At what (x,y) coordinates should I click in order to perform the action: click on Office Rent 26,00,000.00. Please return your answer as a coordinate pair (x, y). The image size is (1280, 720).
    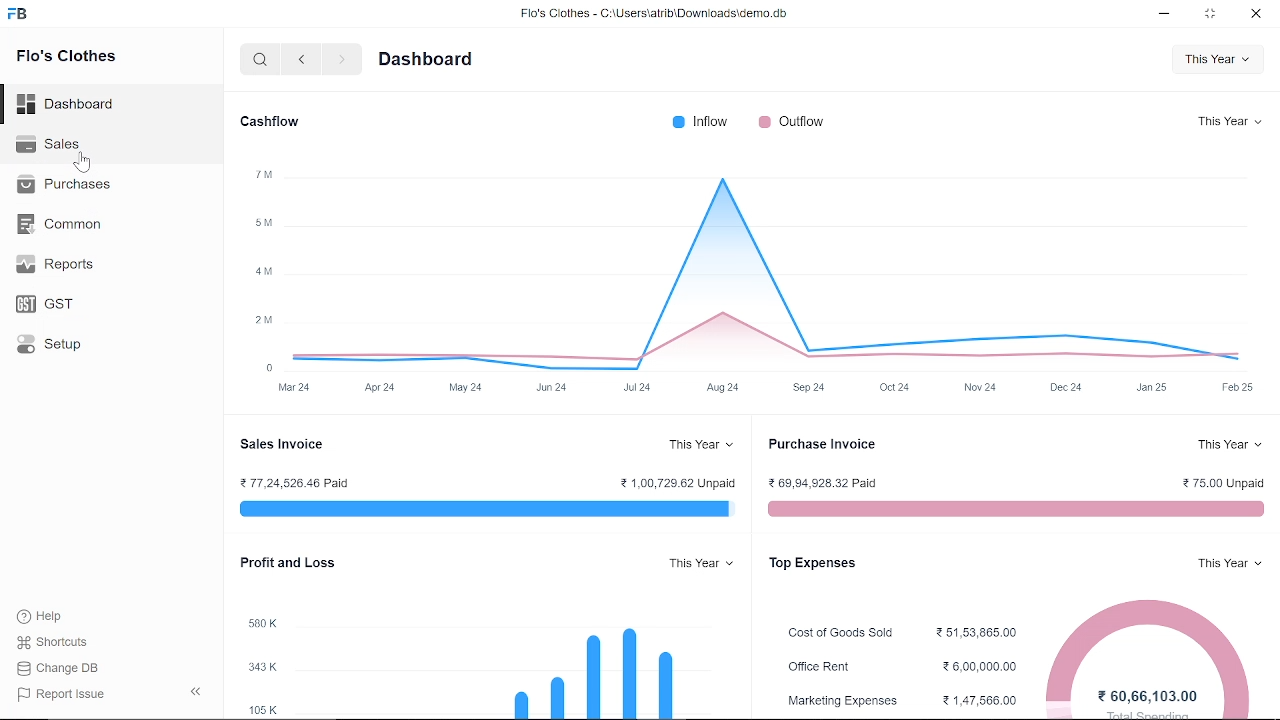
    Looking at the image, I should click on (905, 667).